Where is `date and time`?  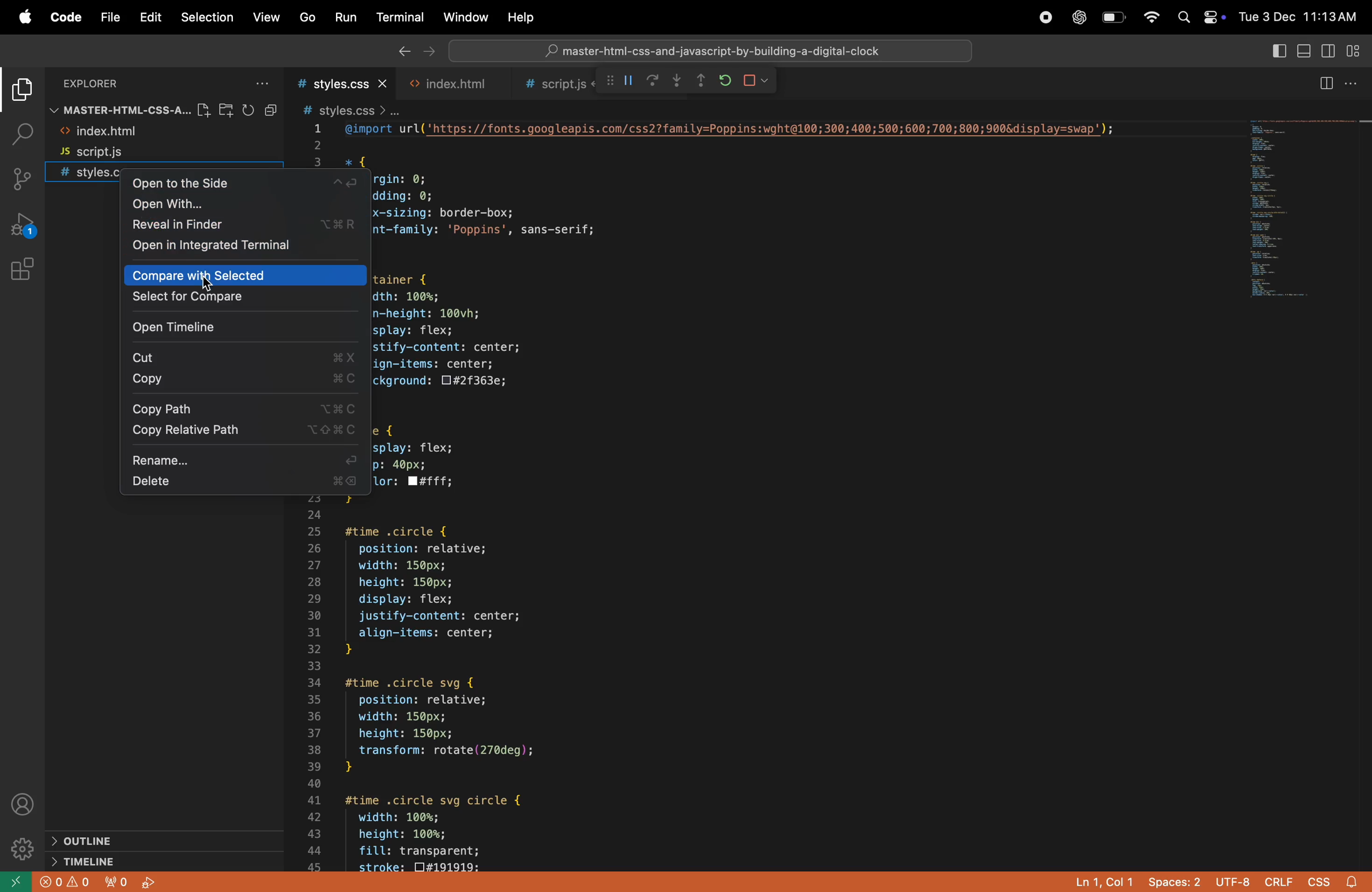
date and time is located at coordinates (1301, 17).